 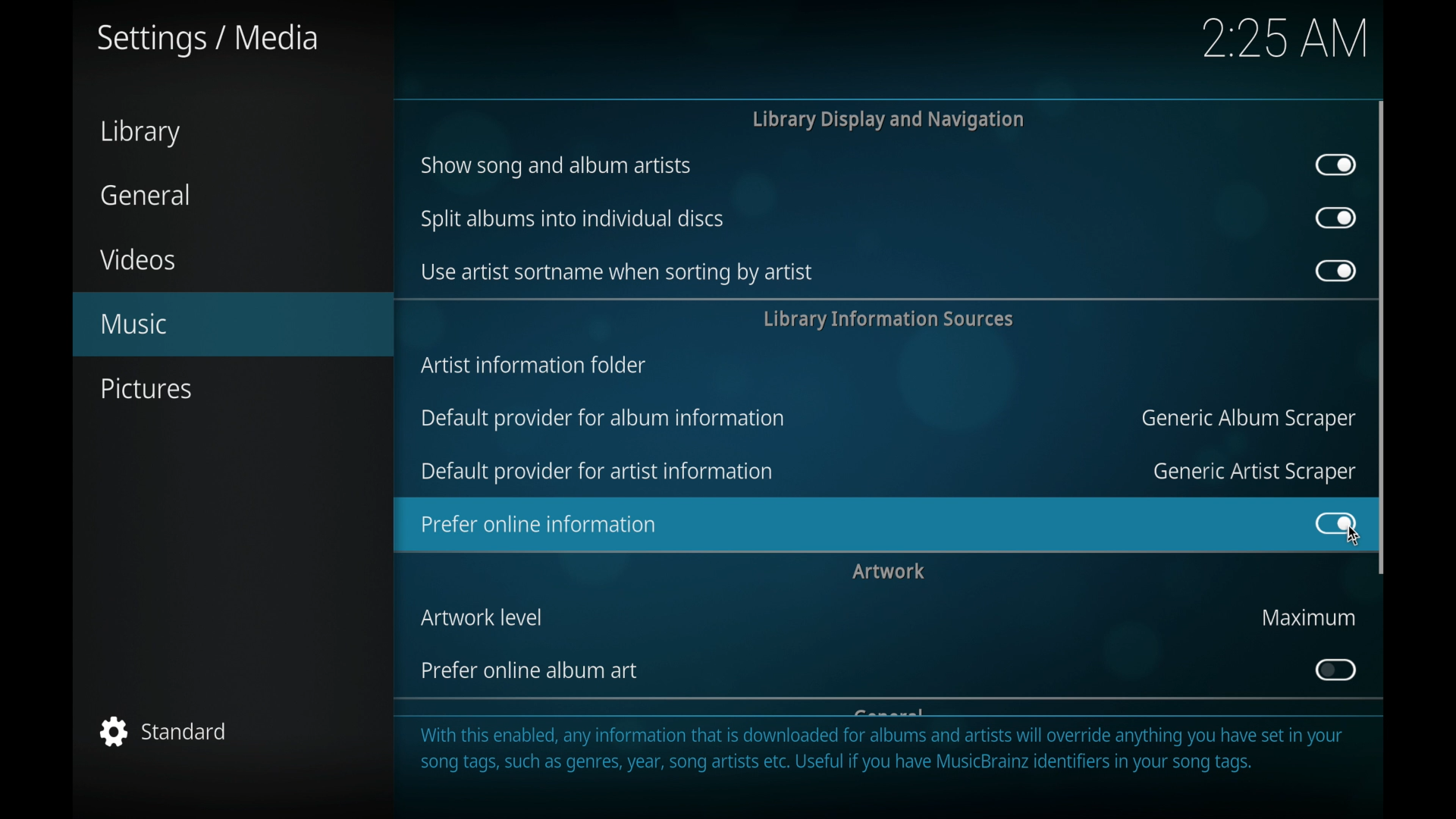 What do you see at coordinates (1336, 165) in the screenshot?
I see `toggle button` at bounding box center [1336, 165].